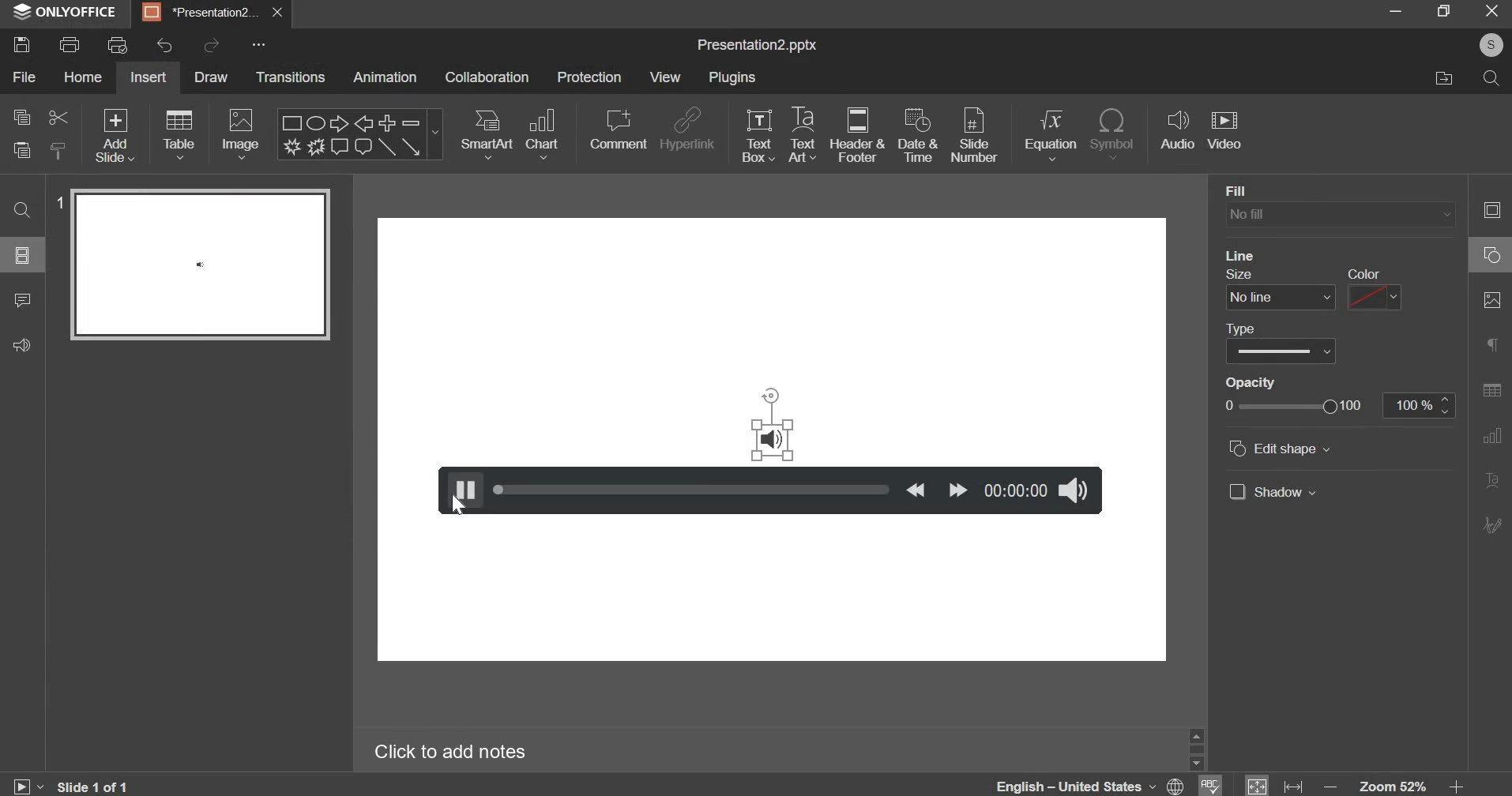  Describe the element at coordinates (1493, 300) in the screenshot. I see `image settings` at that location.